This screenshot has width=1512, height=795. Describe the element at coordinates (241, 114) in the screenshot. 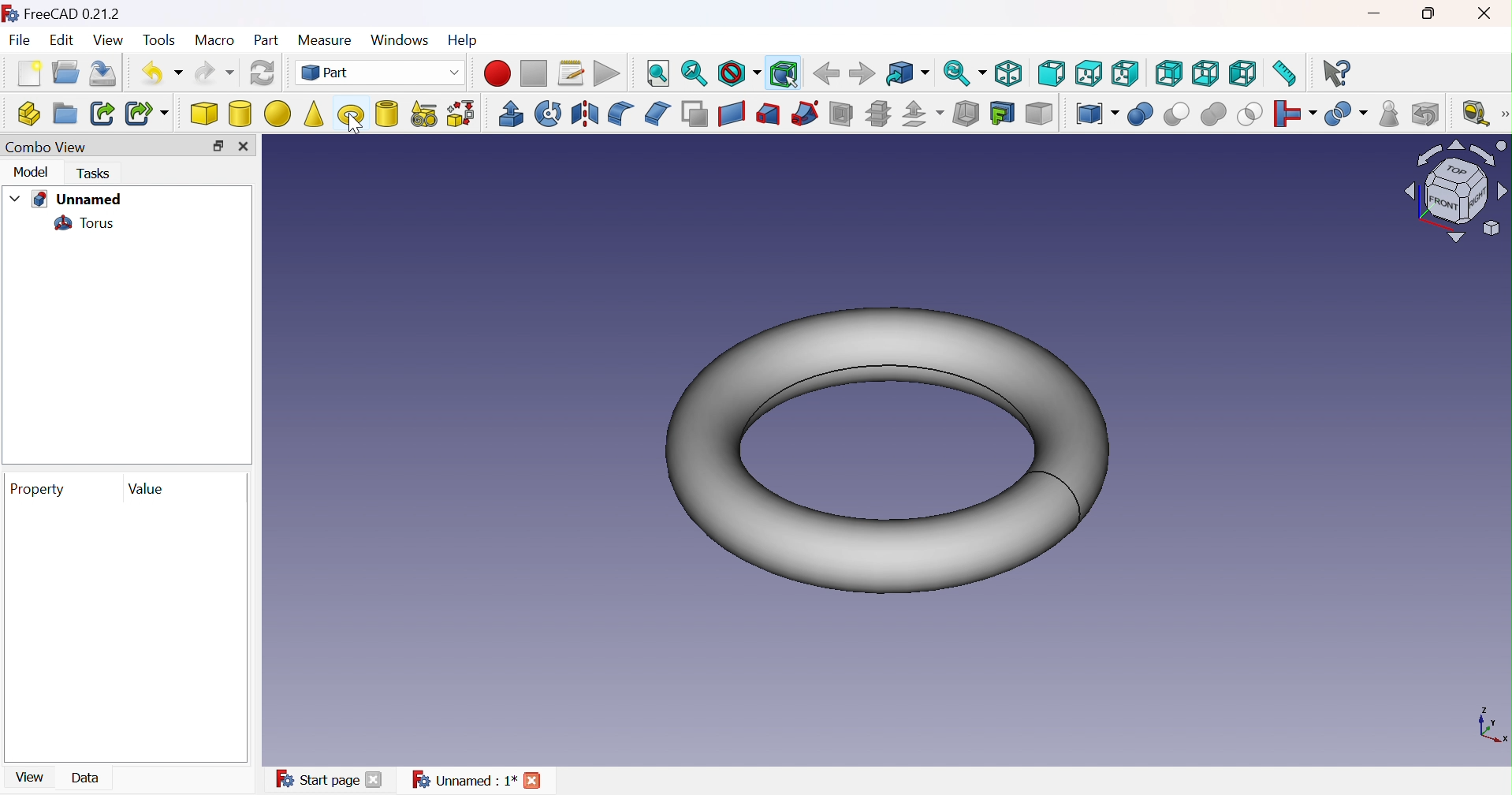

I see `Cylinder` at that location.